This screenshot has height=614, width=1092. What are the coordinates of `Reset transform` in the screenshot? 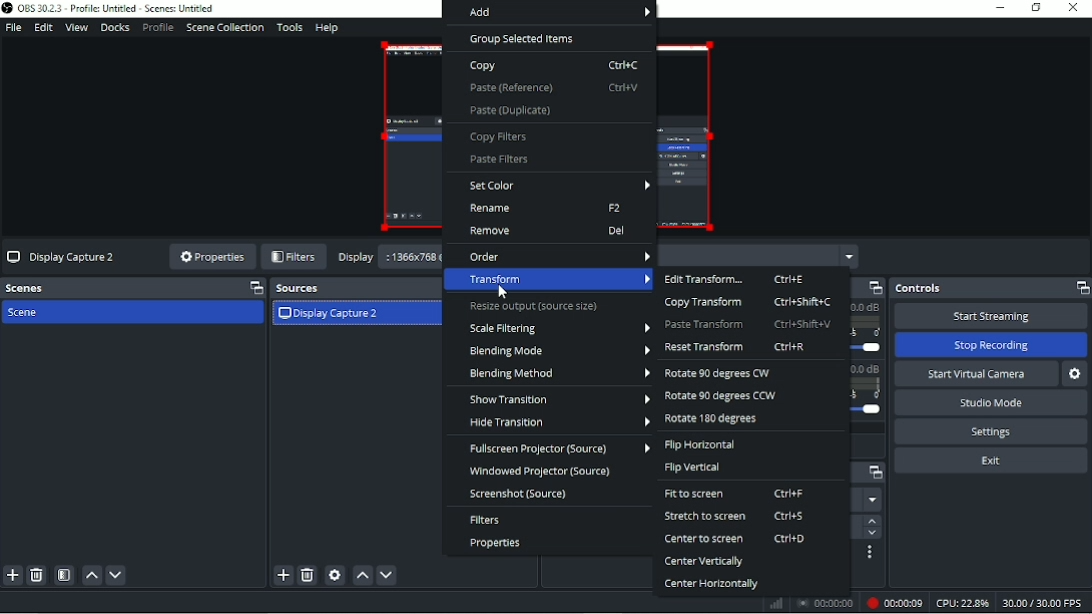 It's located at (736, 347).